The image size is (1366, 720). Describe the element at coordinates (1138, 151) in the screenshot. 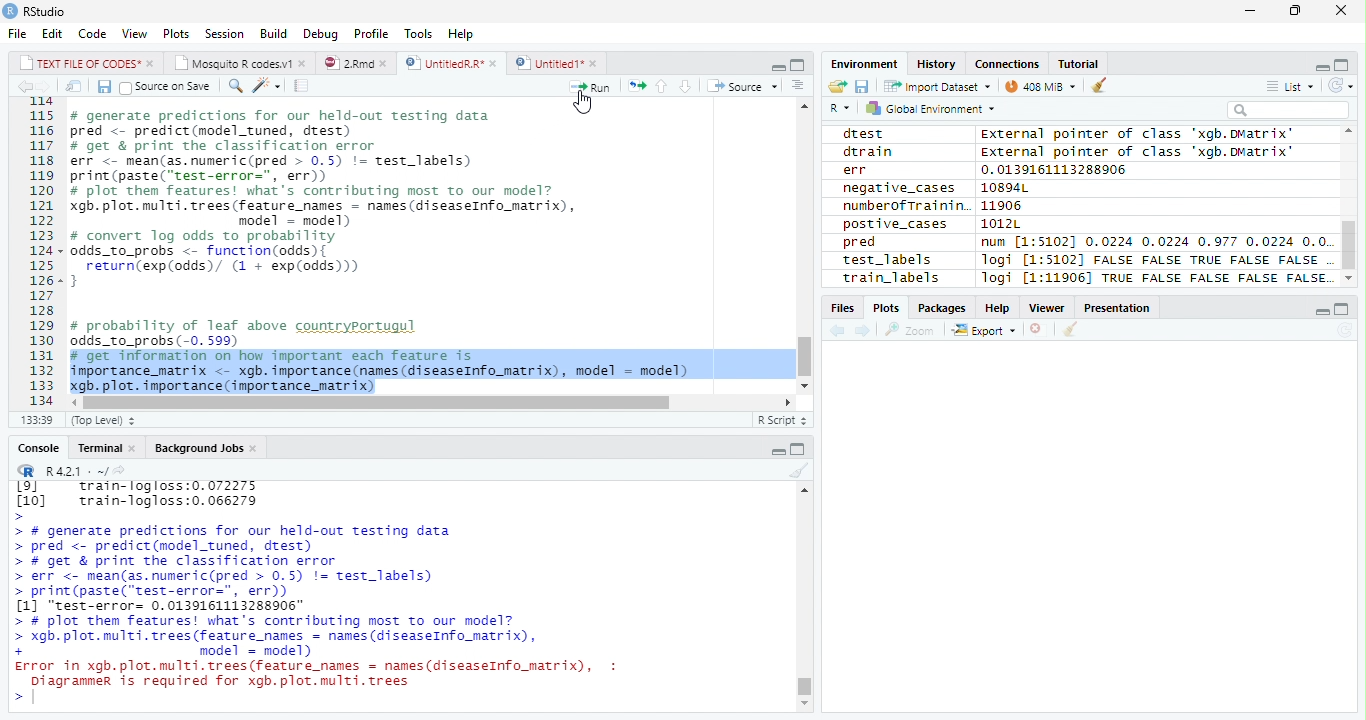

I see `External pointer of class "xgb.DMatrix'` at that location.